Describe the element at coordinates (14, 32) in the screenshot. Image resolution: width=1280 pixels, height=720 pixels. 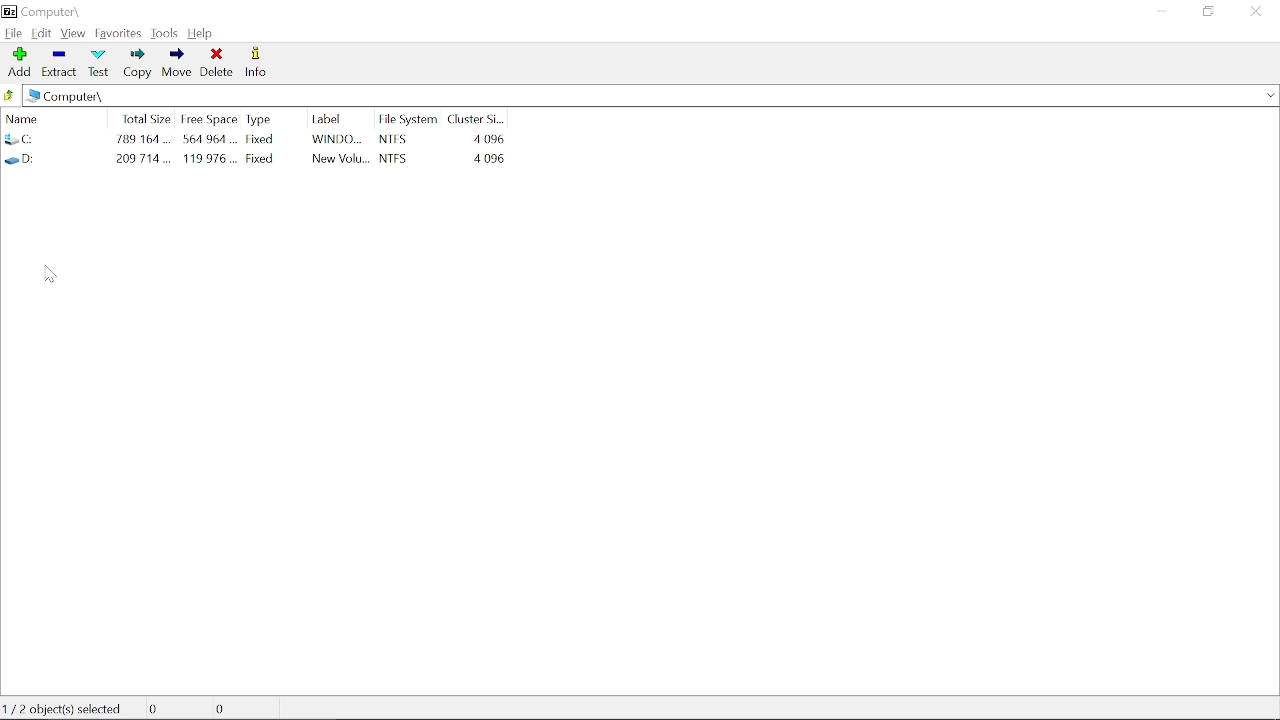
I see `file` at that location.